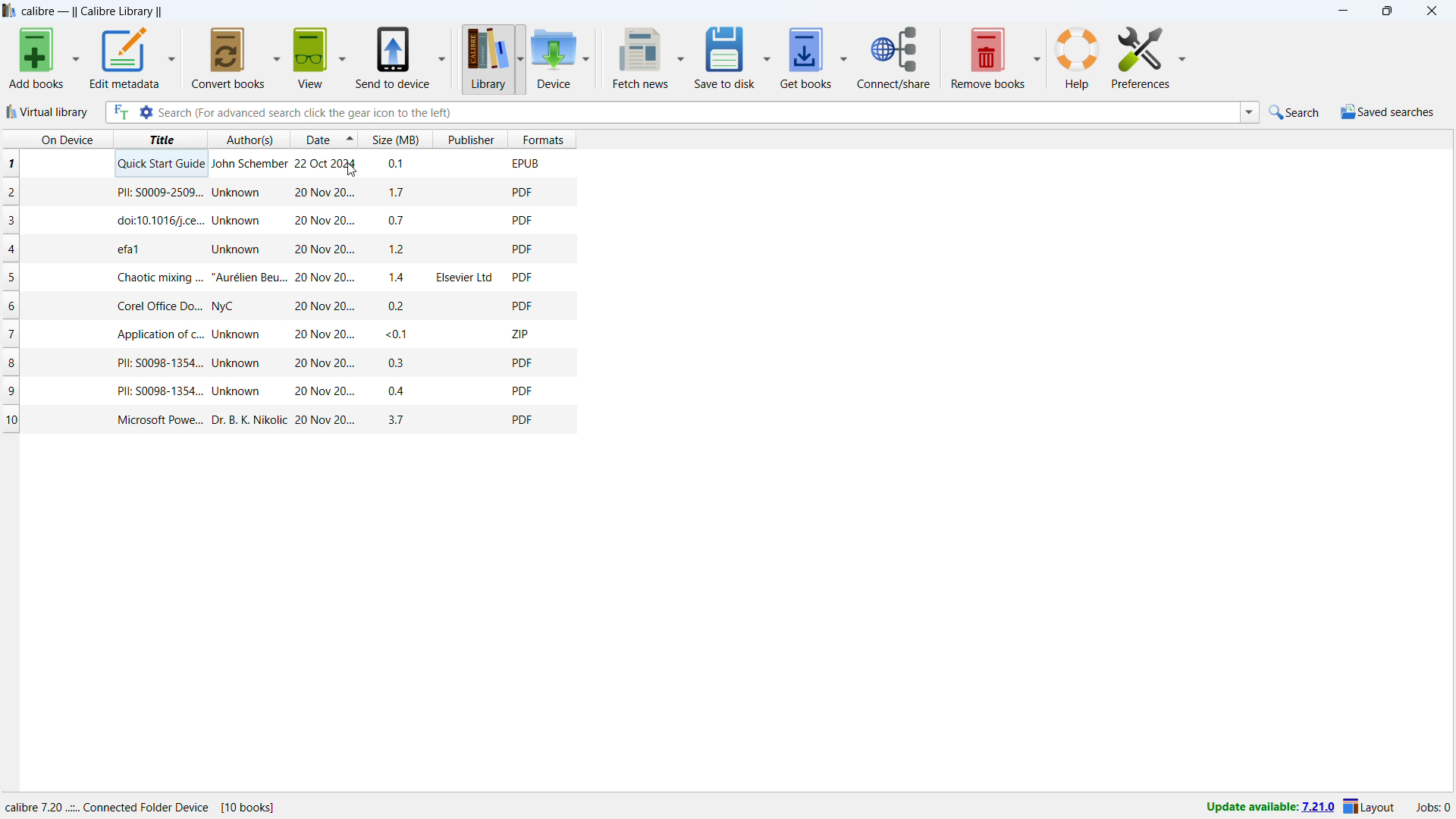 This screenshot has width=1456, height=819. Describe the element at coordinates (442, 57) in the screenshot. I see `send to device options` at that location.